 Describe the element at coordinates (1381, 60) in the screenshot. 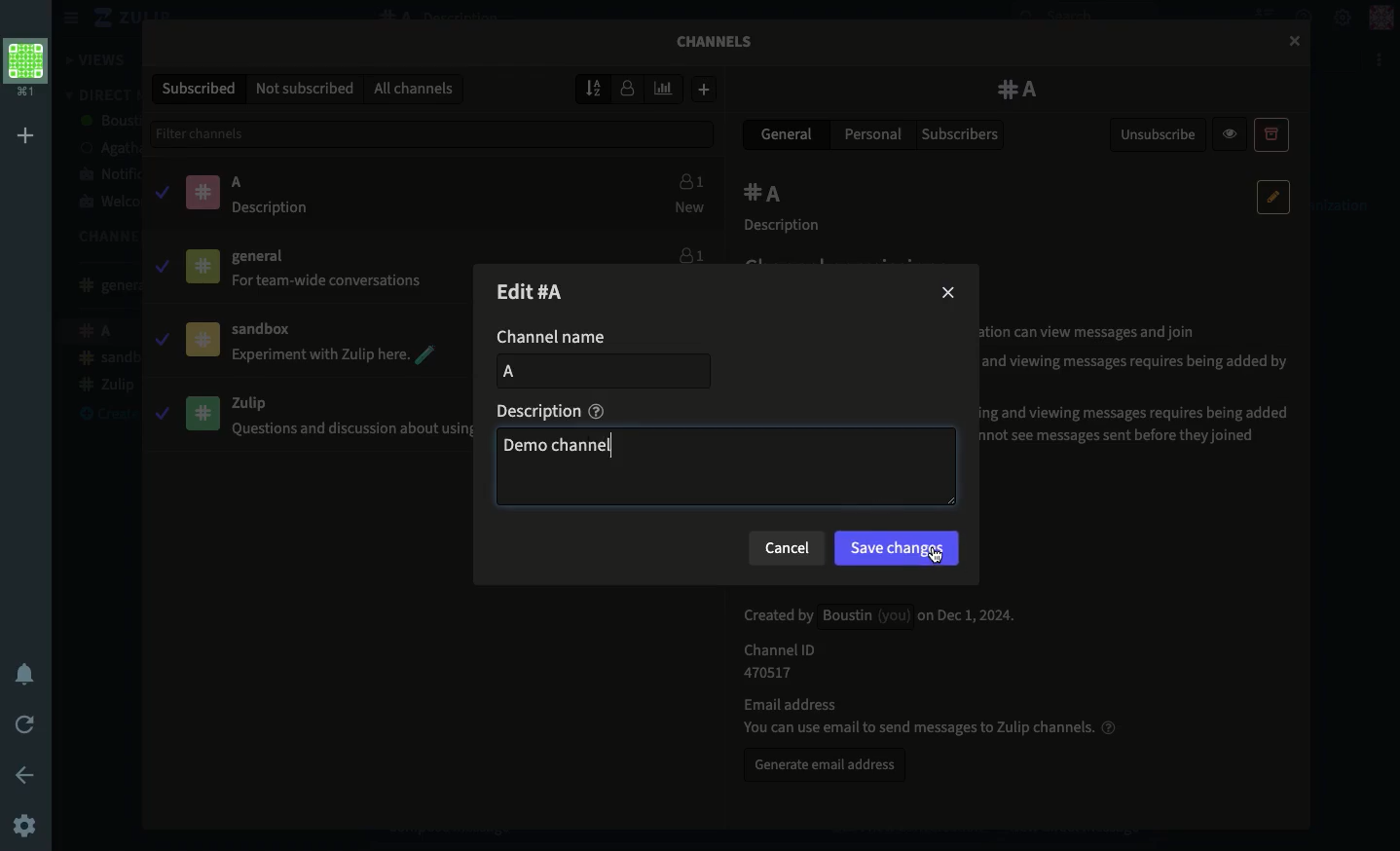

I see `Options` at that location.